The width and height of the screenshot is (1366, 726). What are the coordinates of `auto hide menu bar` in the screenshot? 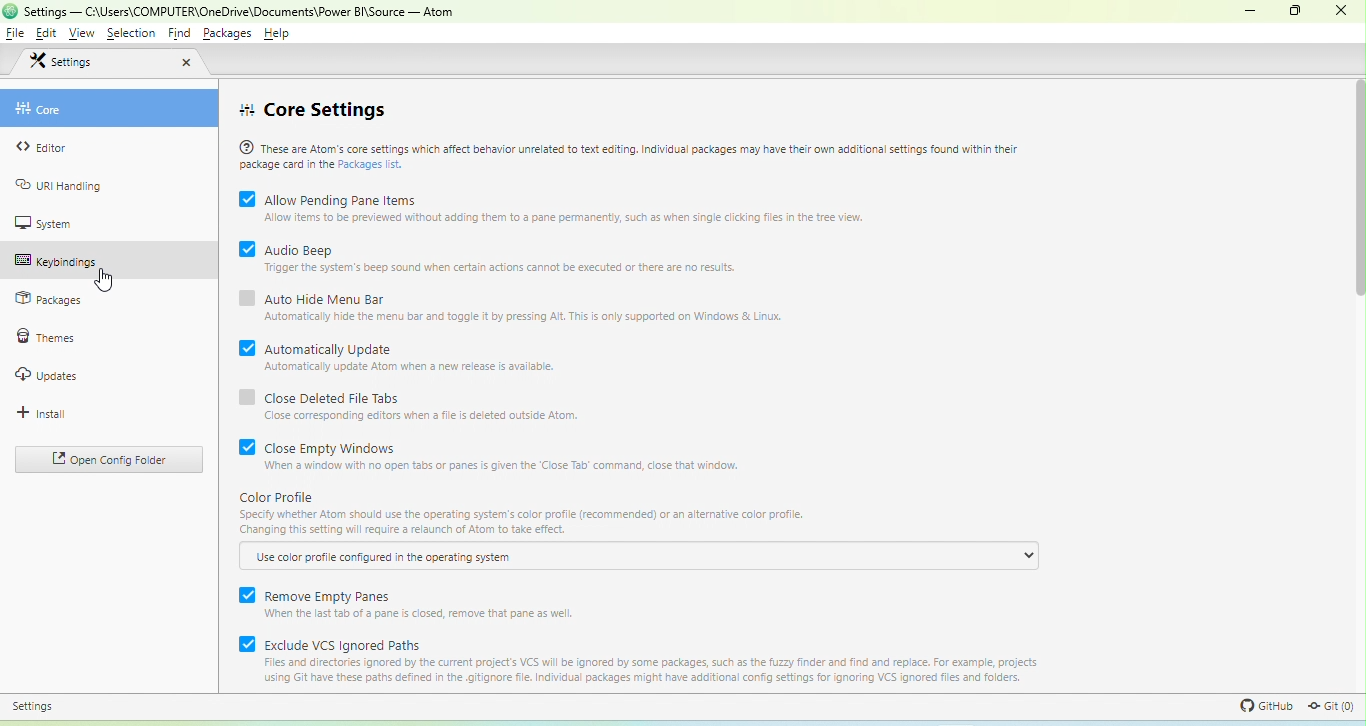 It's located at (313, 296).